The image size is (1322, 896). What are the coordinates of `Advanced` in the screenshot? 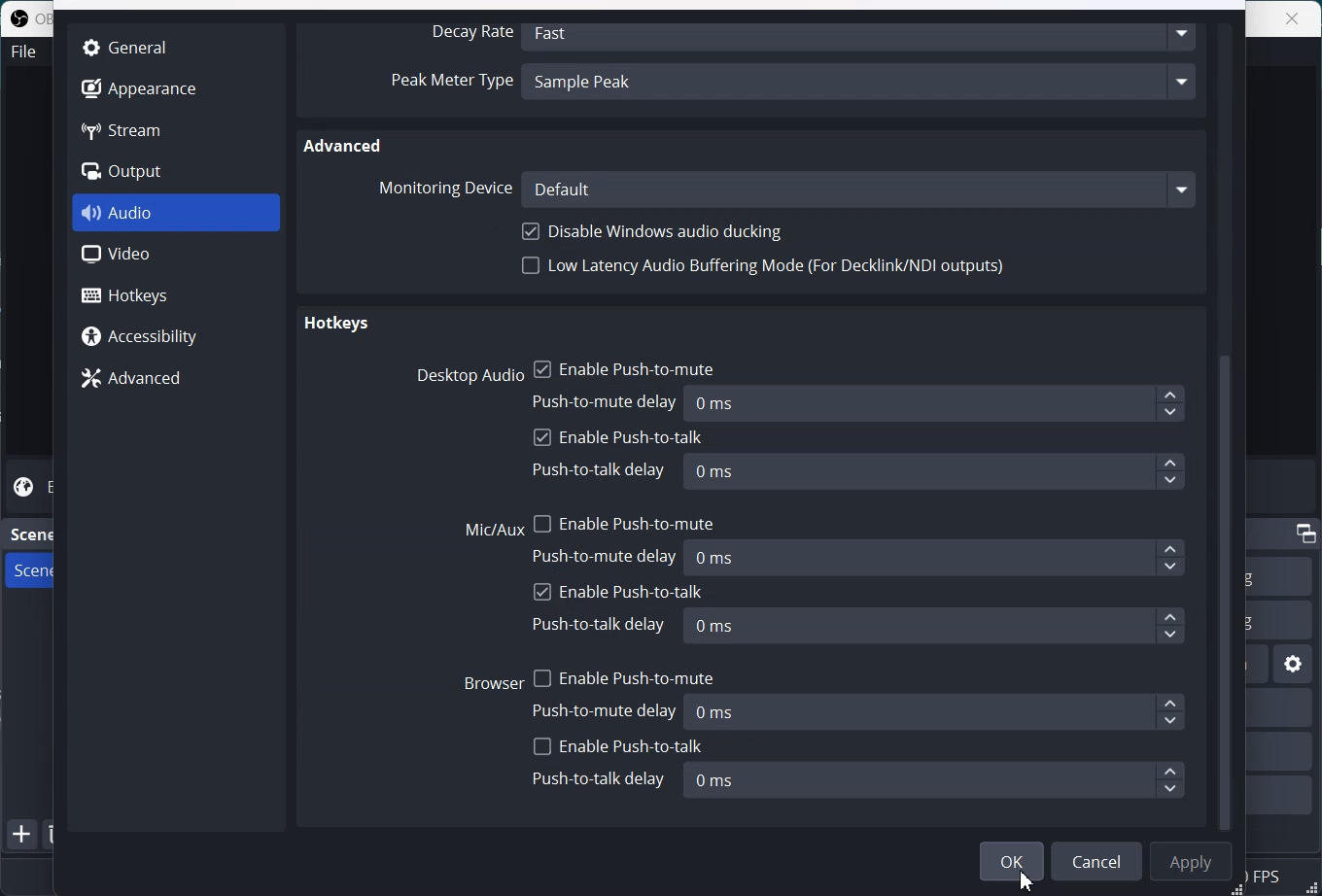 It's located at (175, 377).